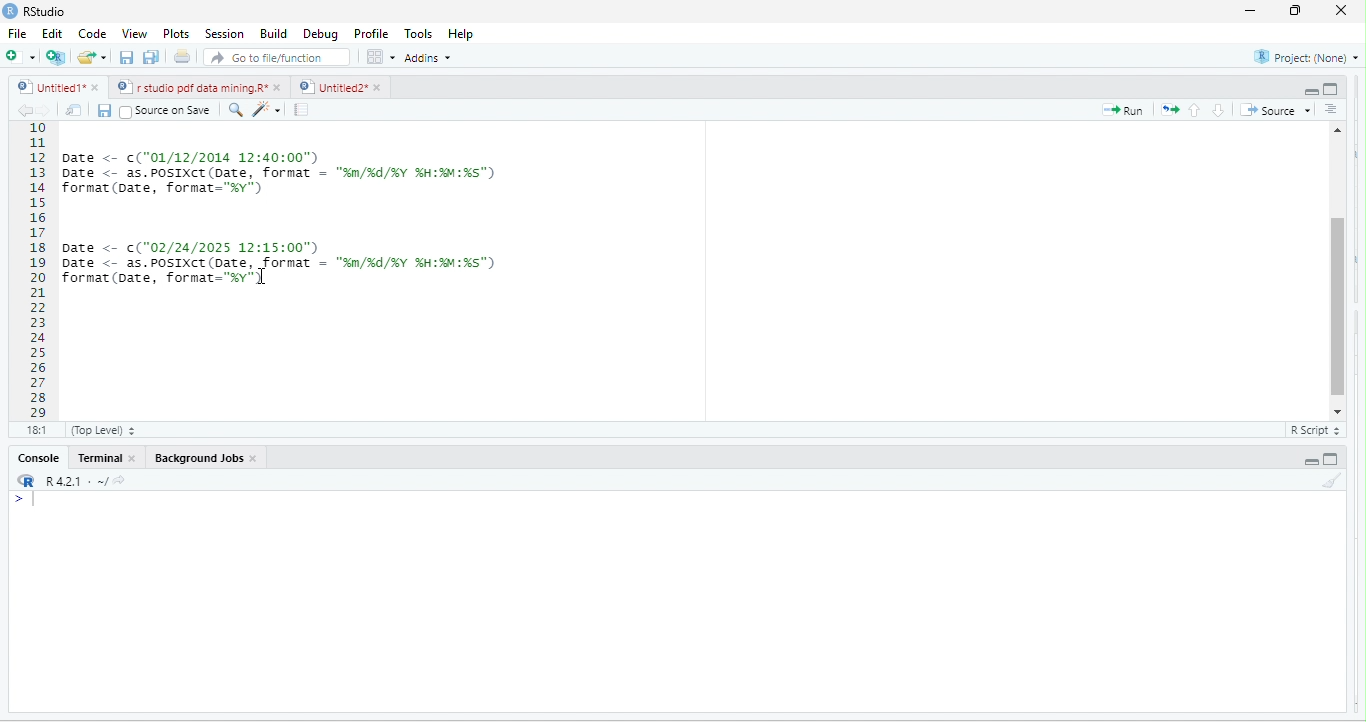 The image size is (1366, 722). What do you see at coordinates (93, 57) in the screenshot?
I see `open an existing file` at bounding box center [93, 57].